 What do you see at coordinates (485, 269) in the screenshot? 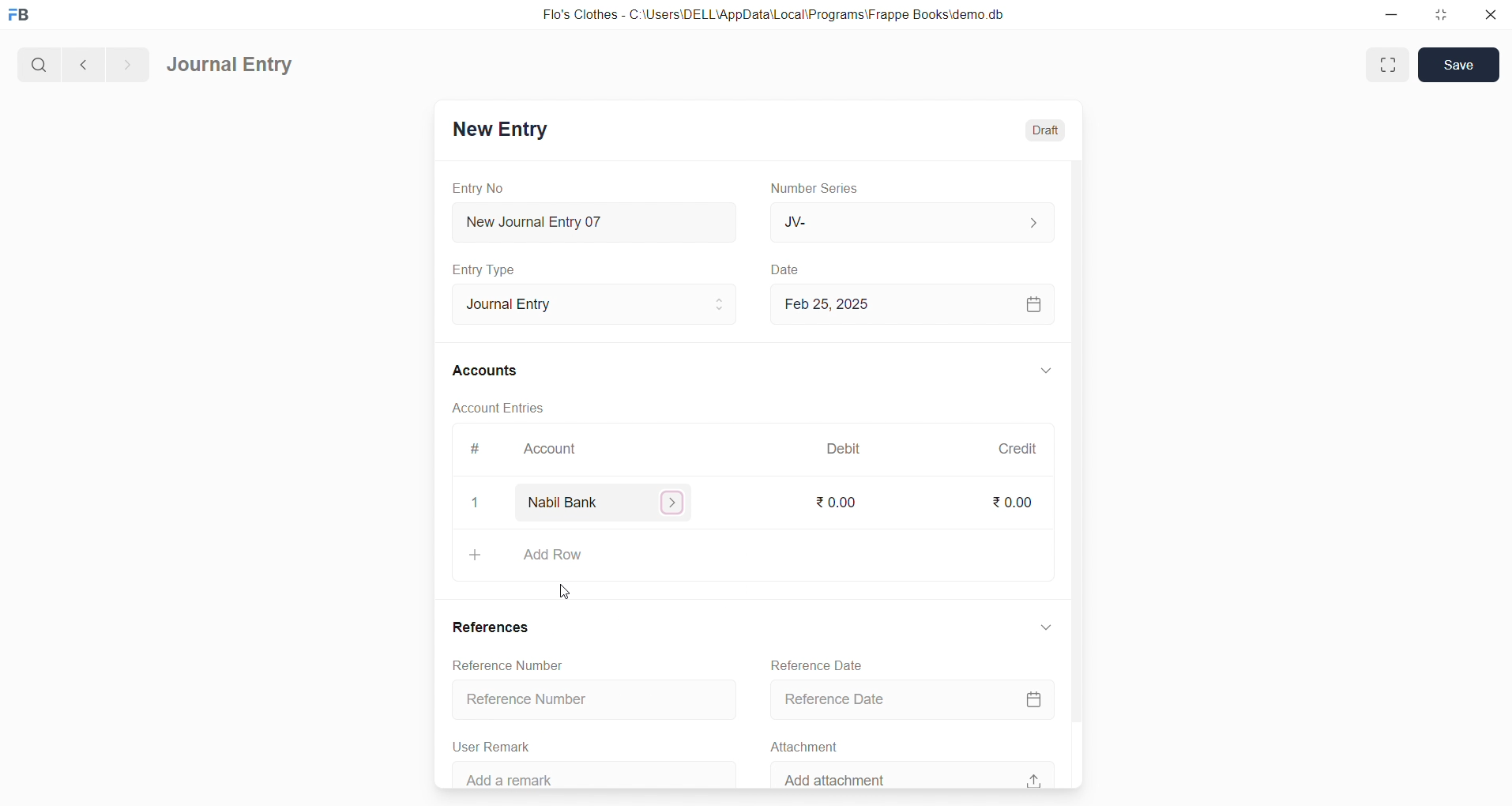
I see `Entry Type` at bounding box center [485, 269].